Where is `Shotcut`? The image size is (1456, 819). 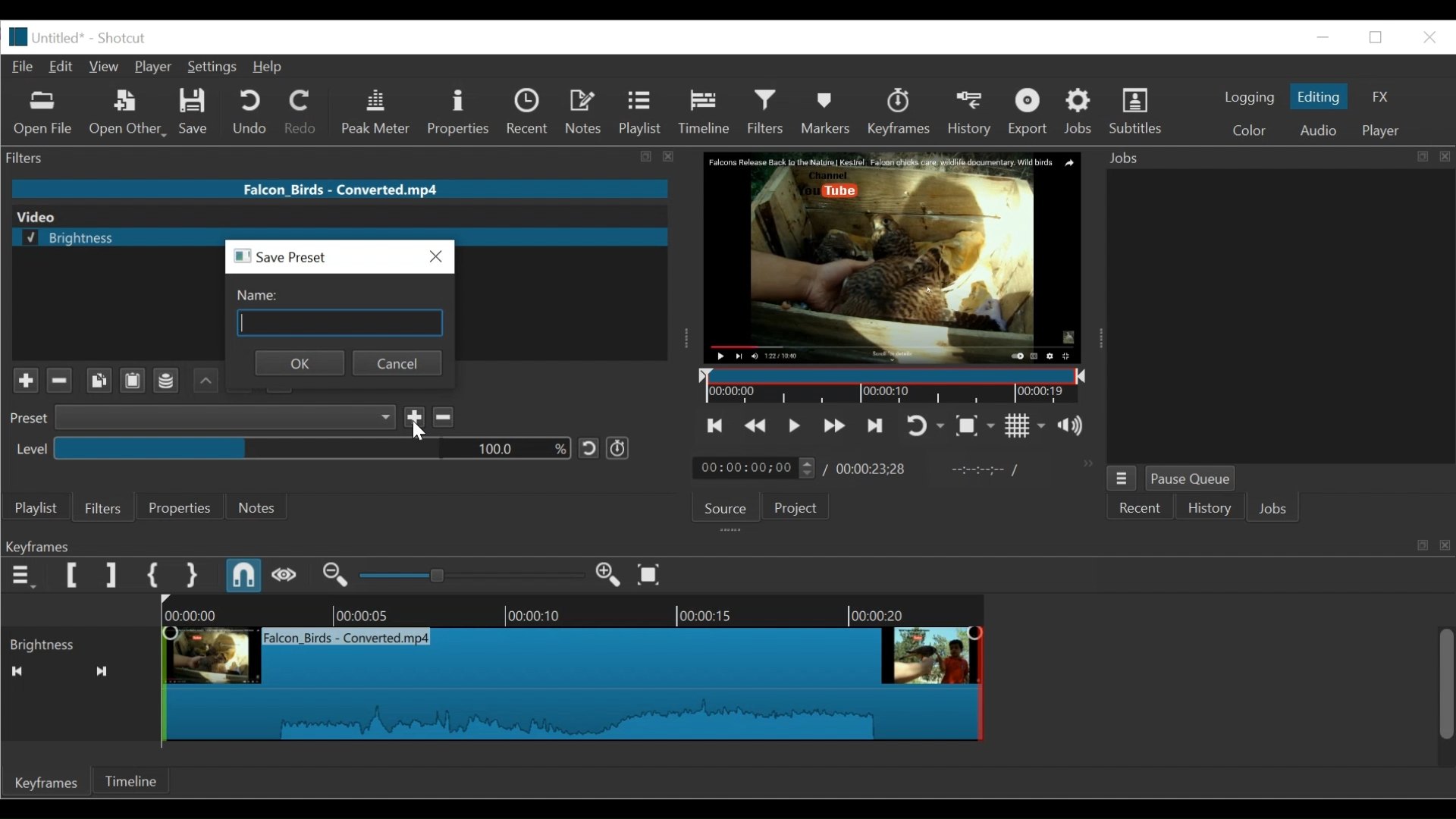
Shotcut is located at coordinates (124, 38).